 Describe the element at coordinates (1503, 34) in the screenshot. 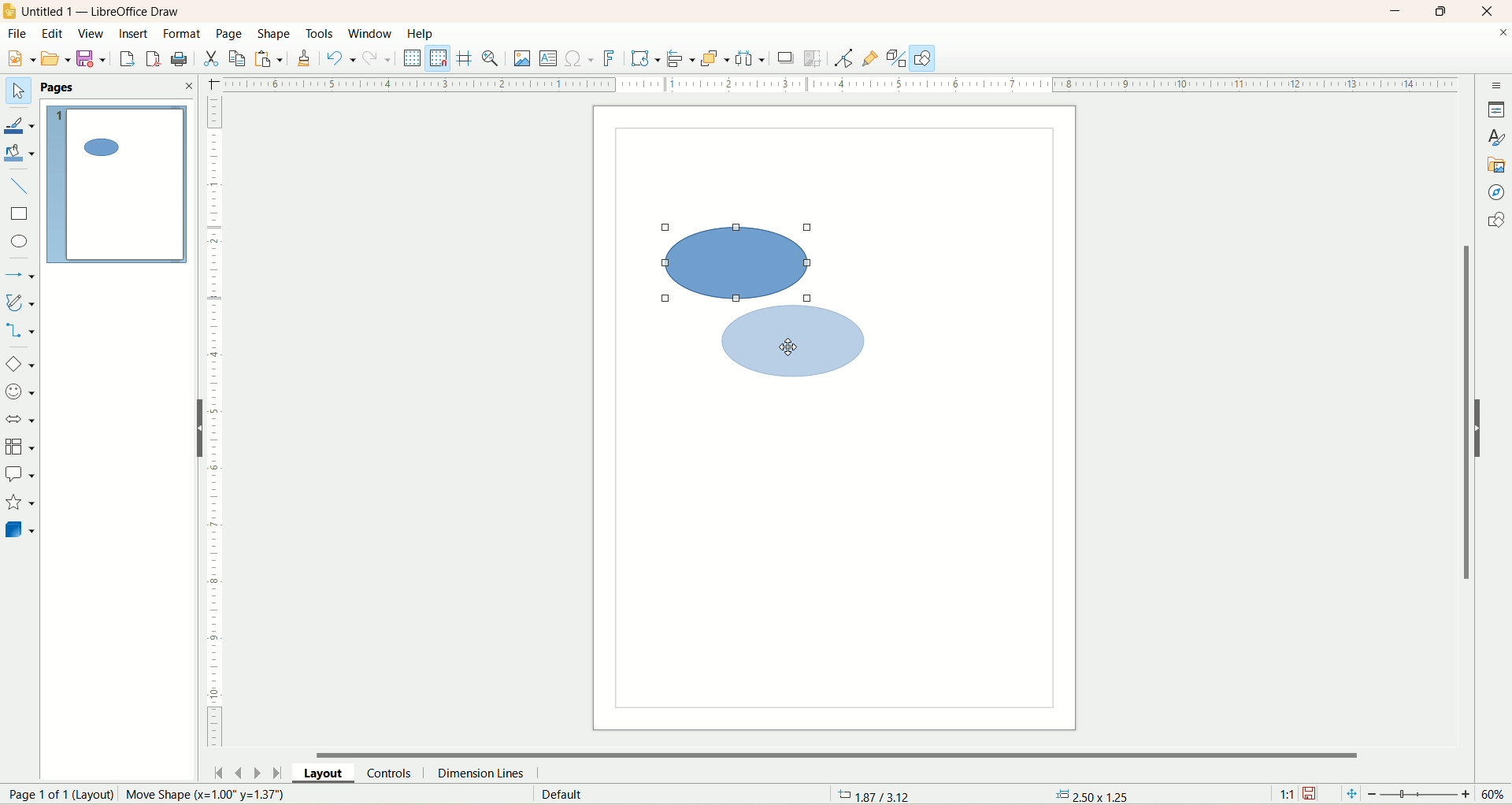

I see `close documents` at that location.